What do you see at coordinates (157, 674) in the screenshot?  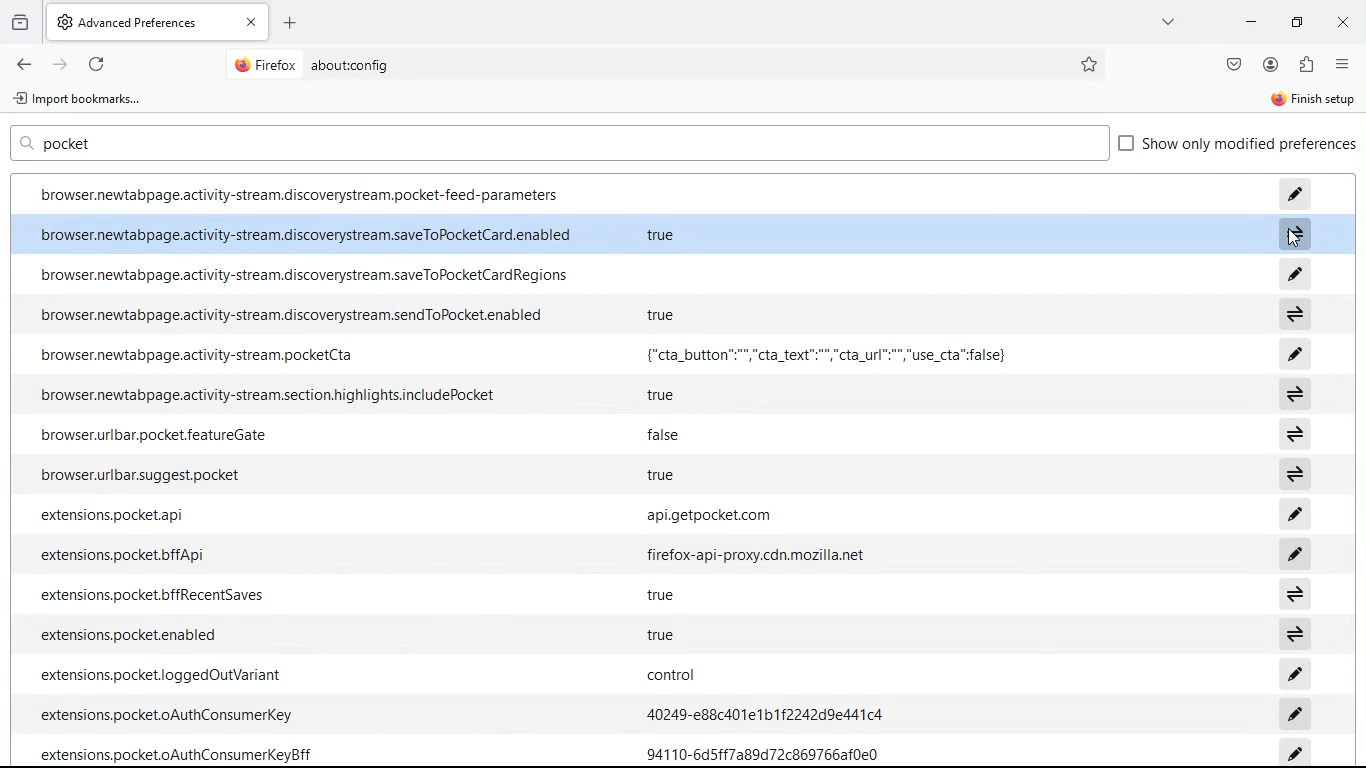 I see `extensions.pocket.loggedOutVariant` at bounding box center [157, 674].